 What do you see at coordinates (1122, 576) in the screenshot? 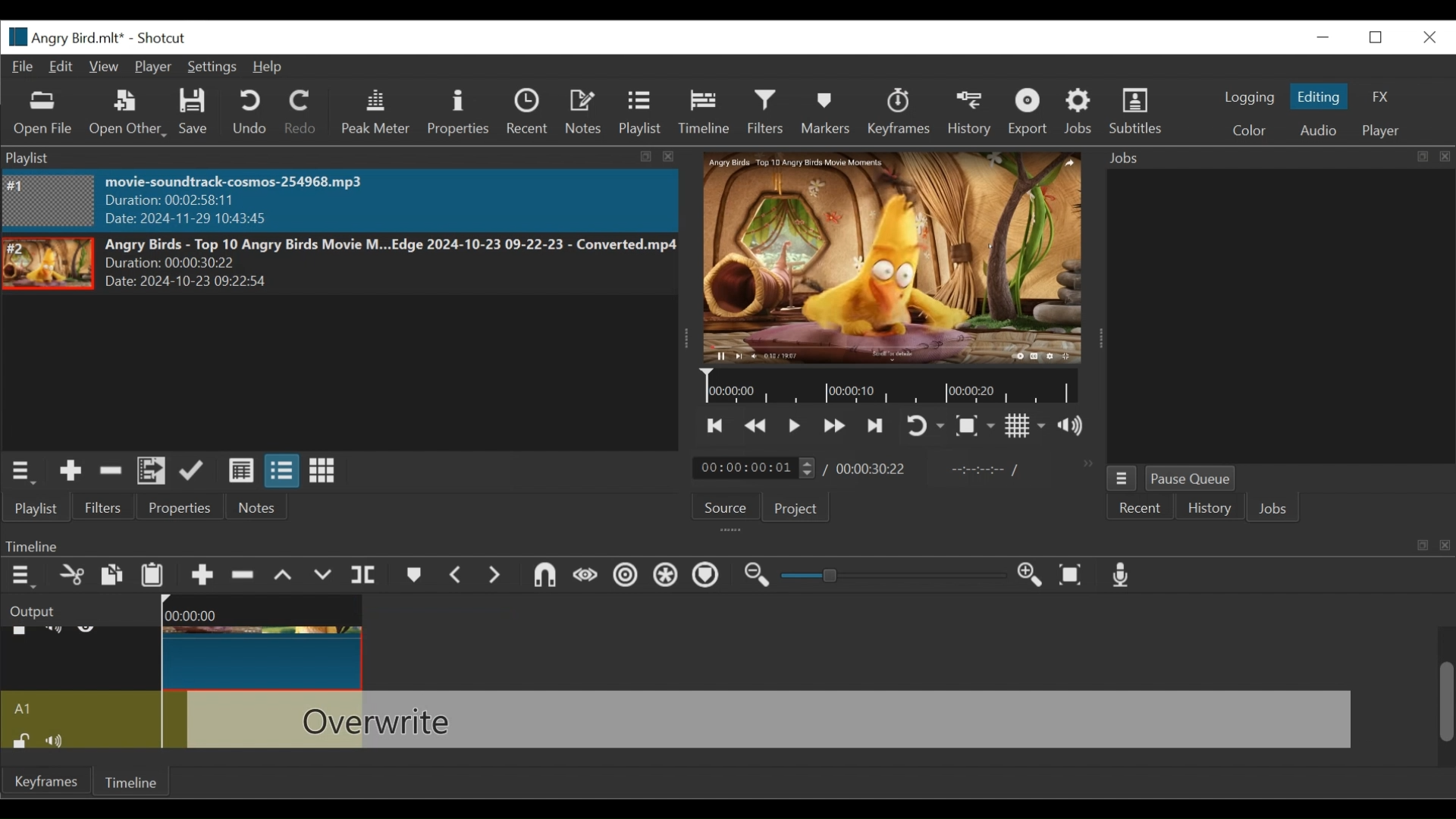
I see `Record audio` at bounding box center [1122, 576].